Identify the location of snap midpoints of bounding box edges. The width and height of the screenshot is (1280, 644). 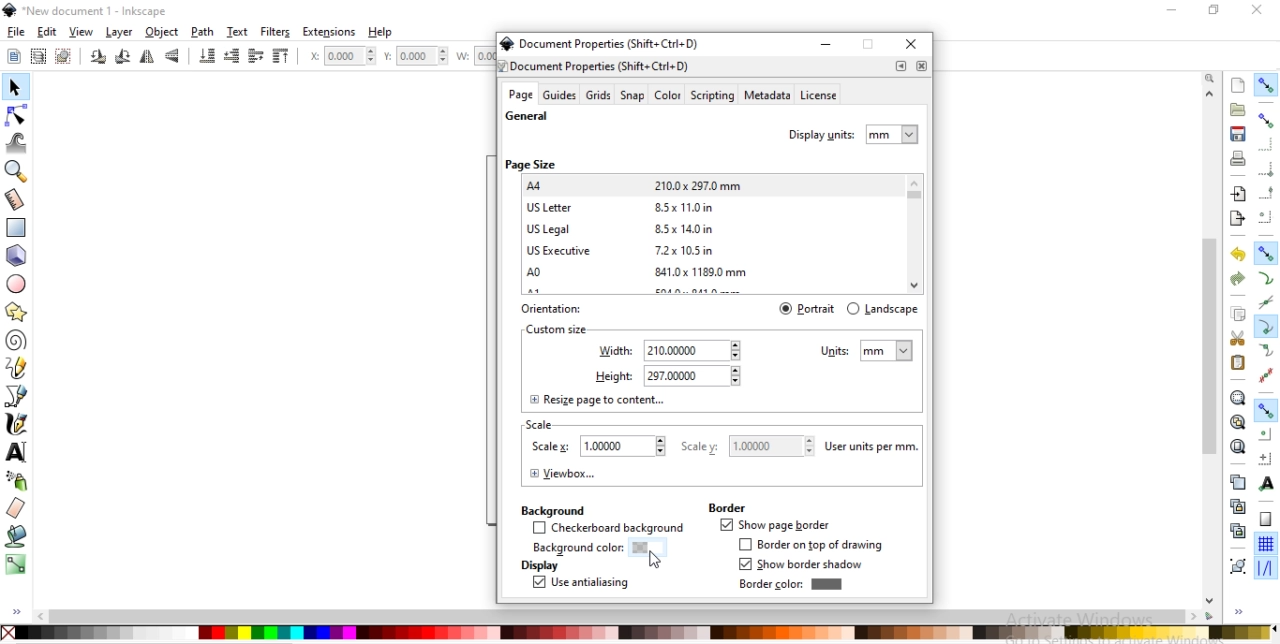
(1267, 193).